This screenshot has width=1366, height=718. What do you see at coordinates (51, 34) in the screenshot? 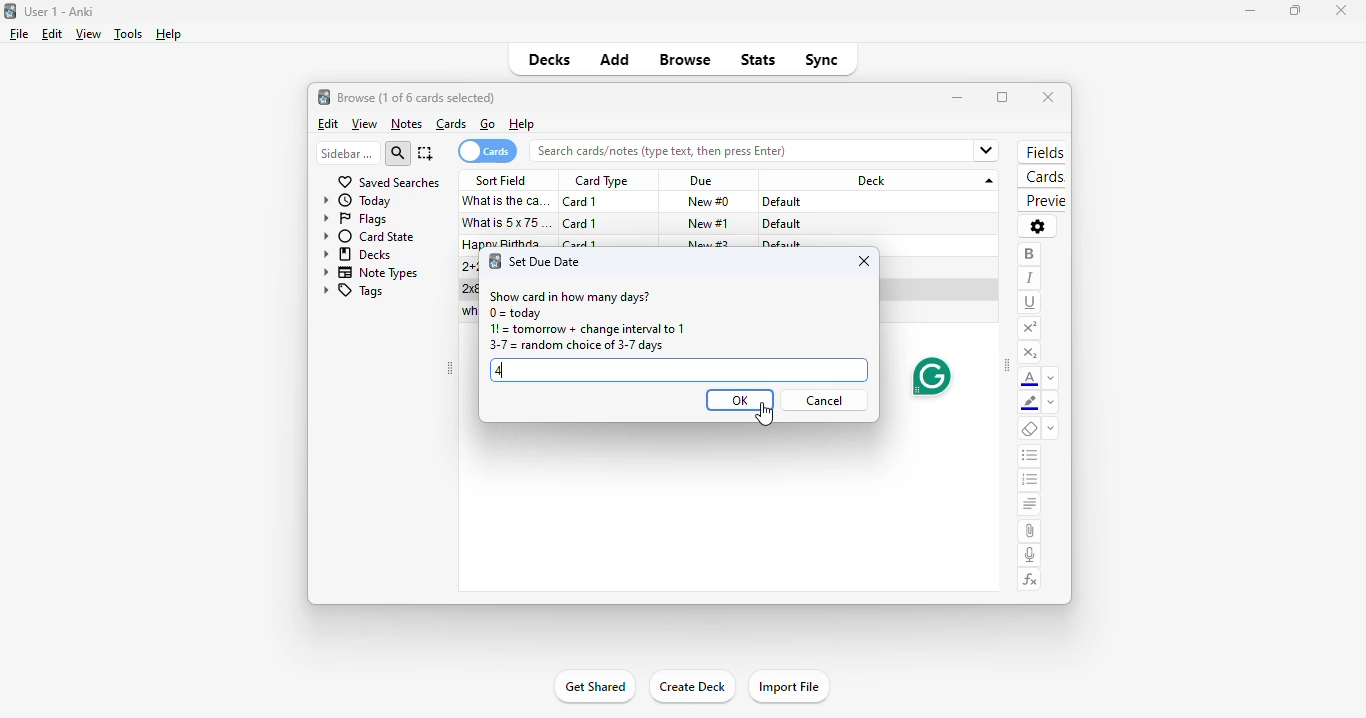
I see `edit` at bounding box center [51, 34].